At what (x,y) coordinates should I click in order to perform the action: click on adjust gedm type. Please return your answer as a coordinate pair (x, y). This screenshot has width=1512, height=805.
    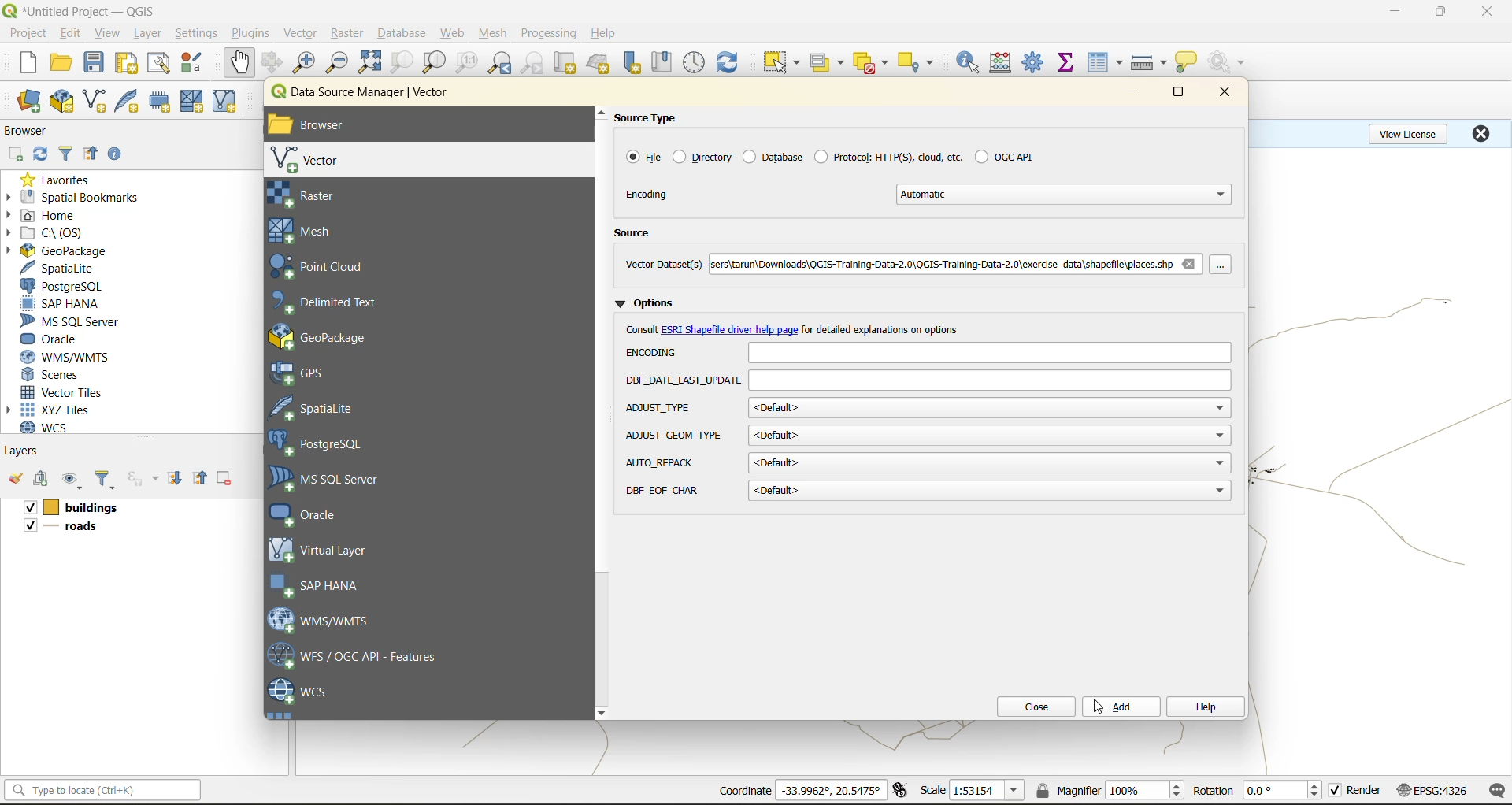
    Looking at the image, I should click on (674, 436).